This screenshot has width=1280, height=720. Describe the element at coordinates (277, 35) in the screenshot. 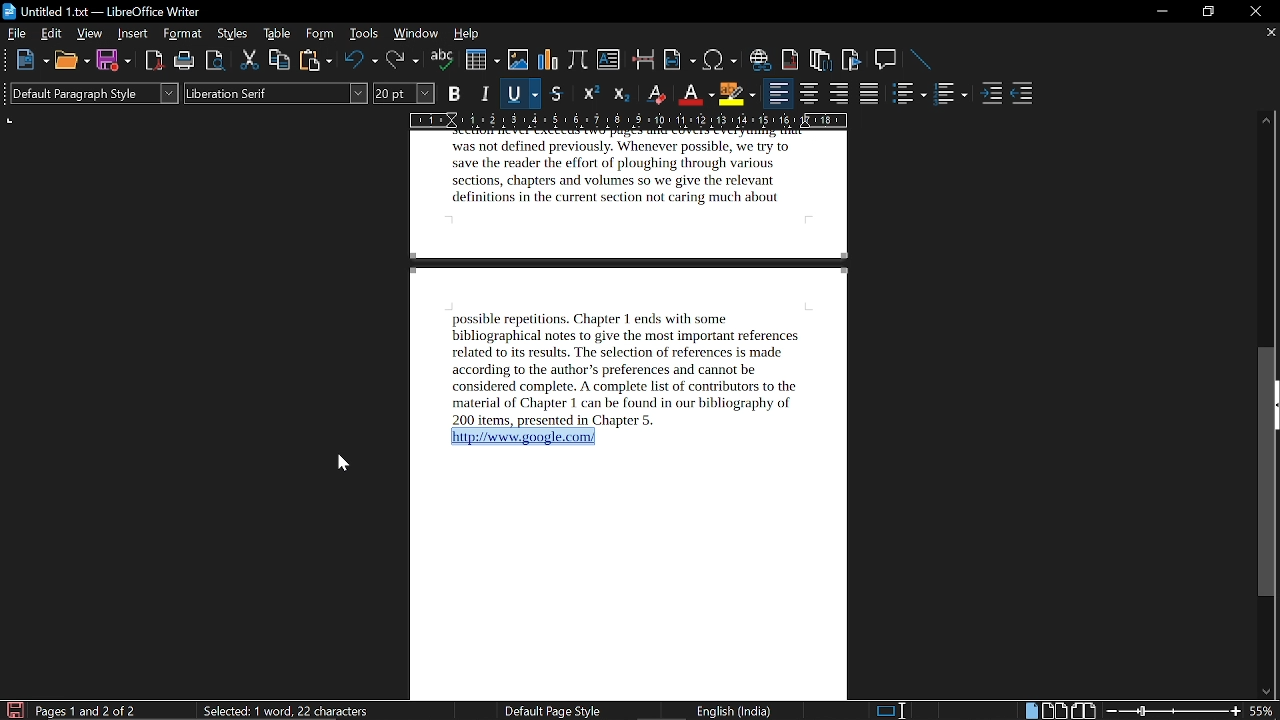

I see `table` at that location.